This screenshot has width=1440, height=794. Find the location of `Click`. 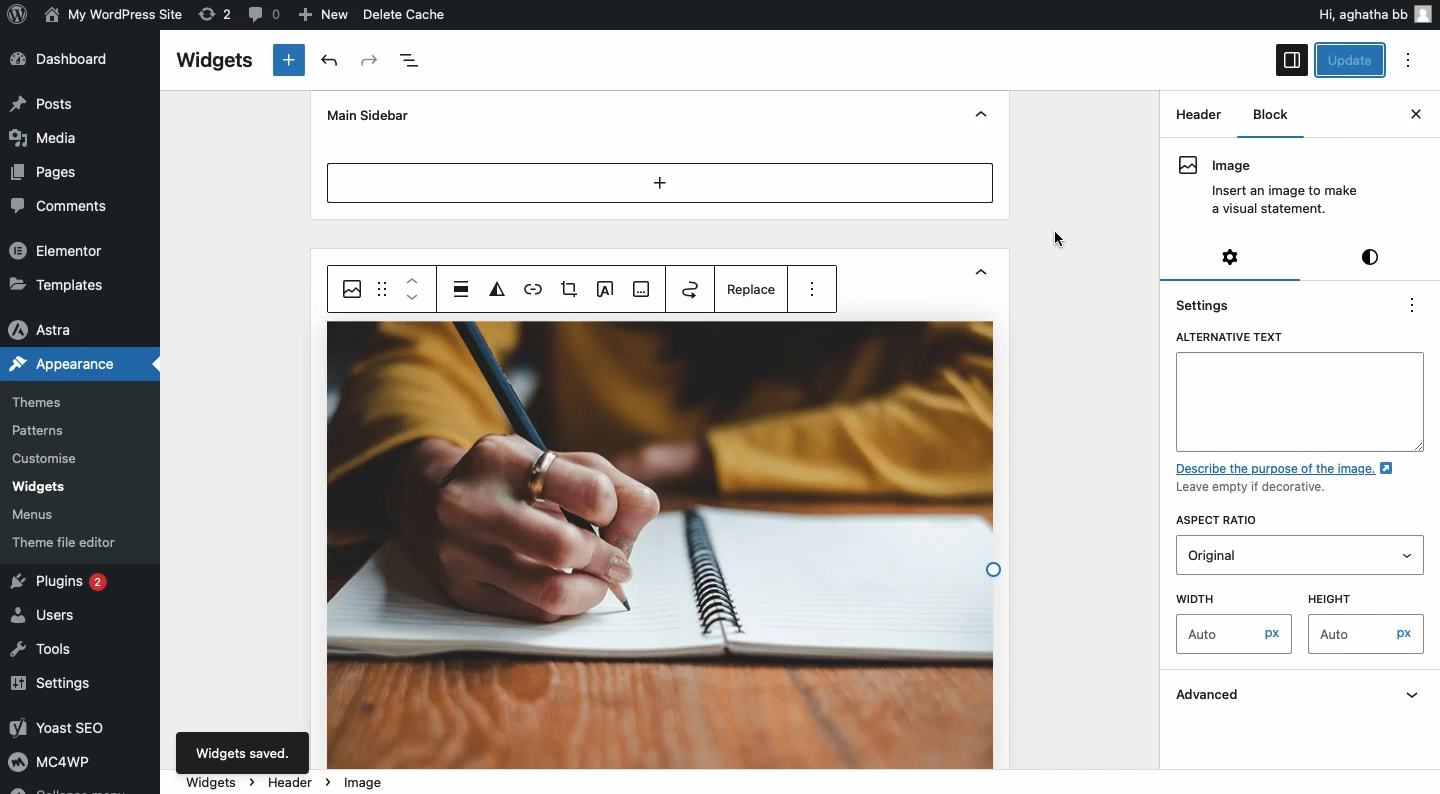

Click is located at coordinates (1064, 239).